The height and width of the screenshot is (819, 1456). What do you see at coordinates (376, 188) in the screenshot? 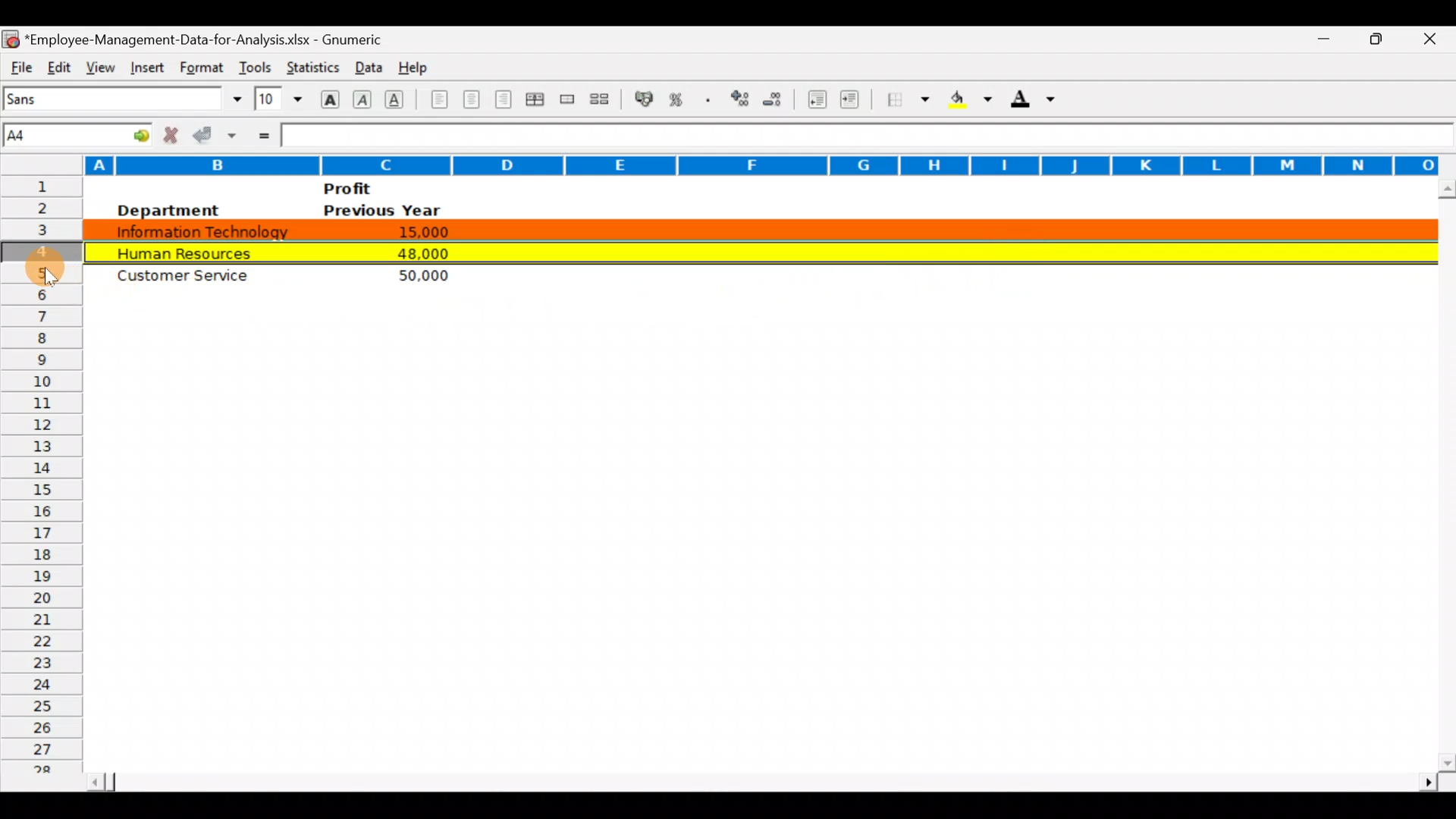
I see `Profit` at bounding box center [376, 188].